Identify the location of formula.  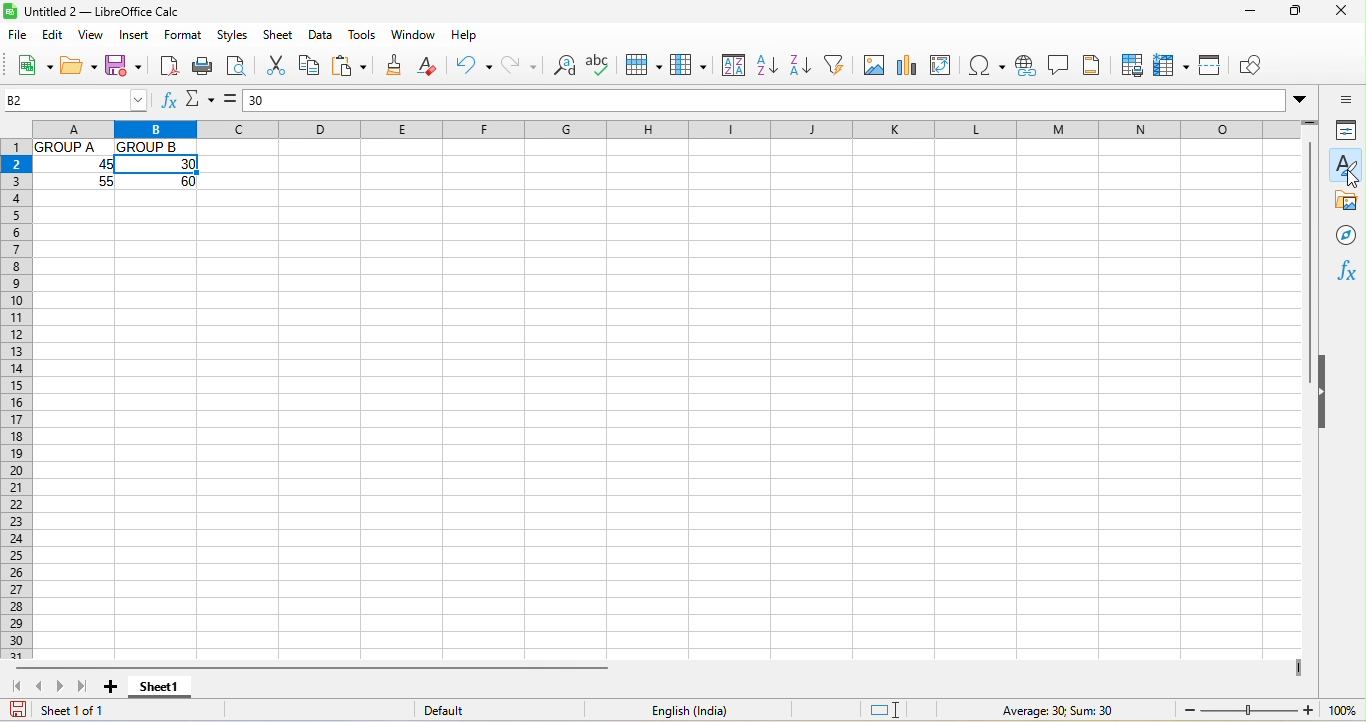
(229, 99).